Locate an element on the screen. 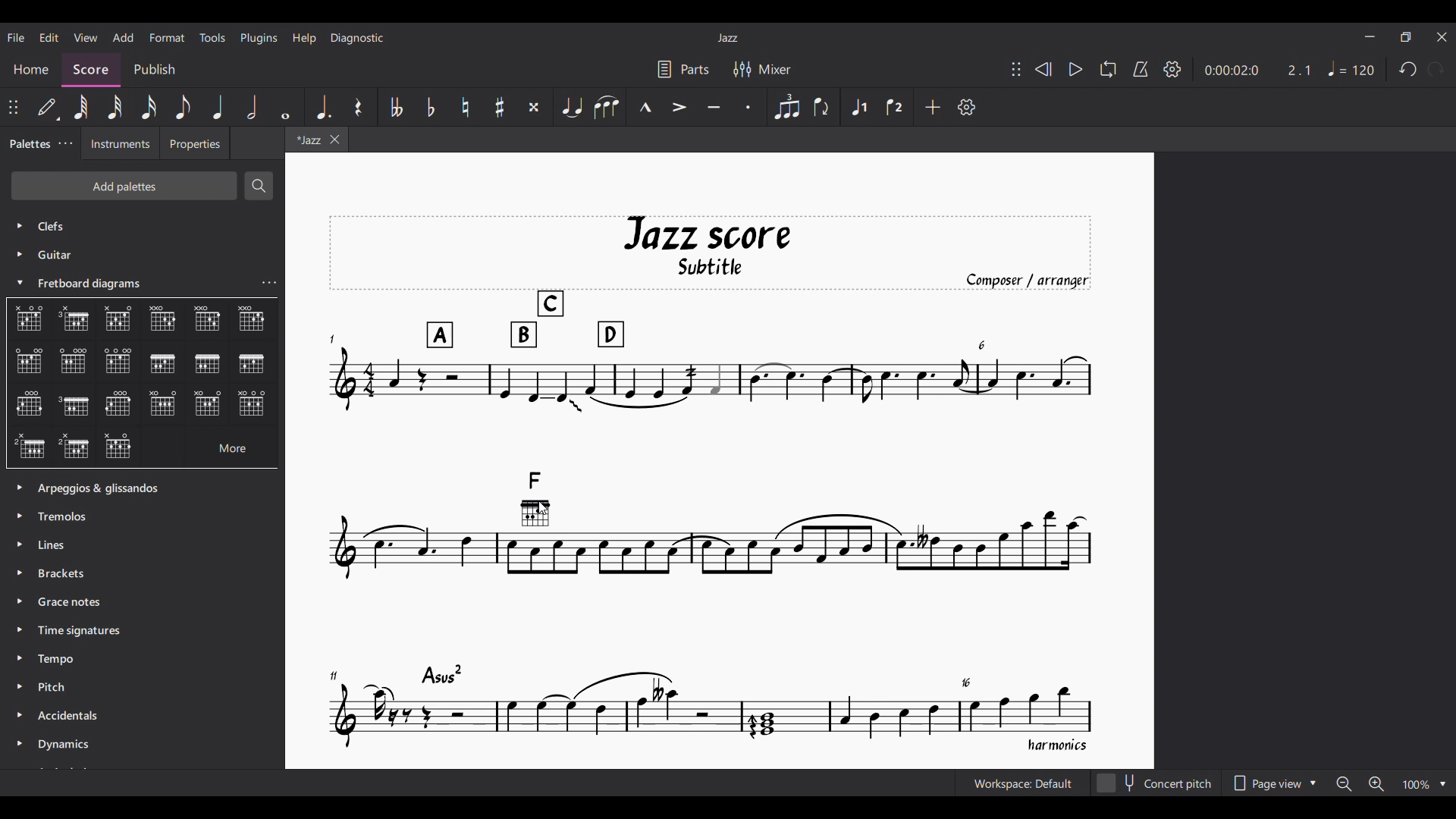 The height and width of the screenshot is (819, 1456). Toggle flat is located at coordinates (431, 107).